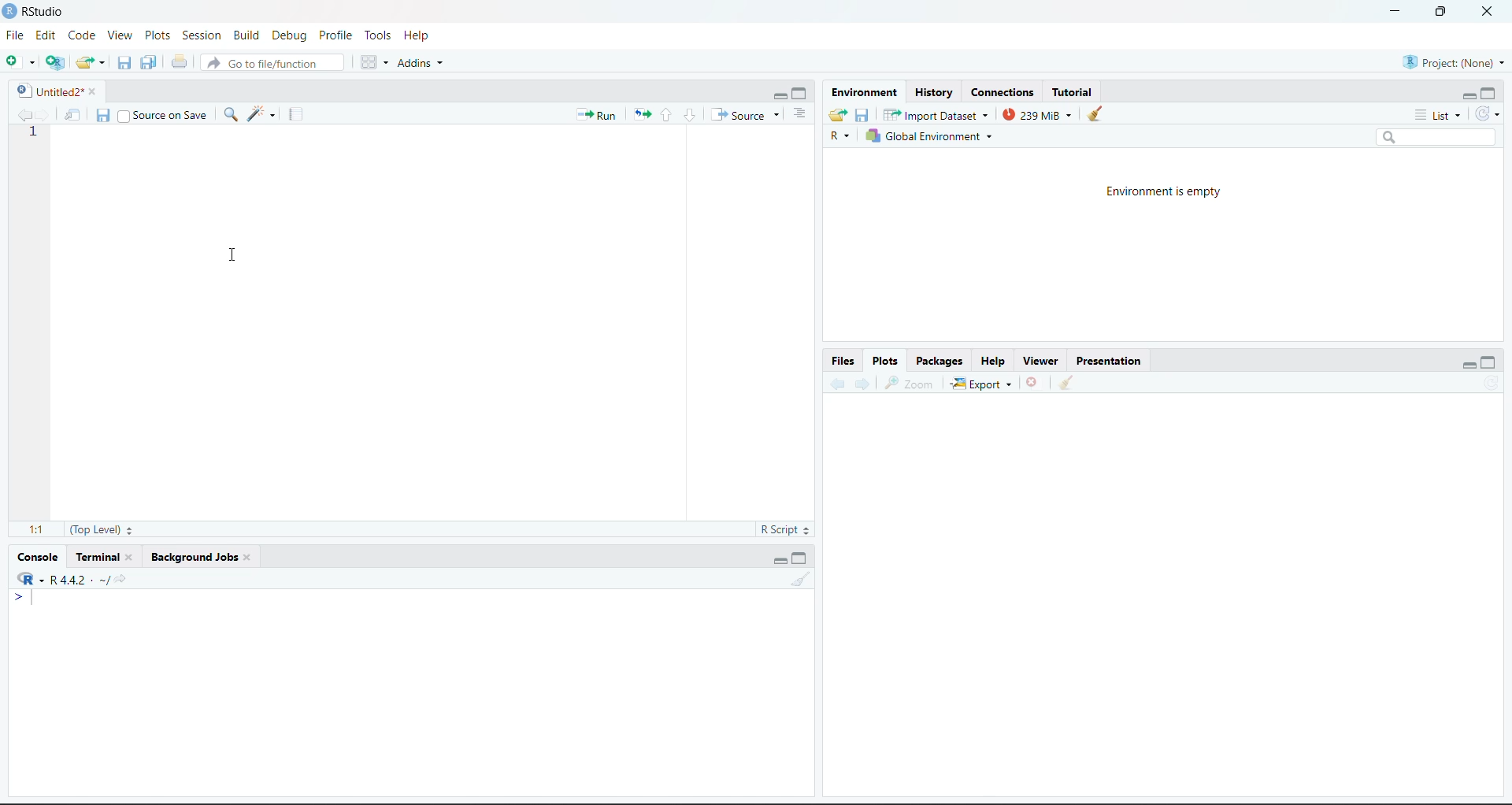  I want to click on Close, so click(1034, 382).